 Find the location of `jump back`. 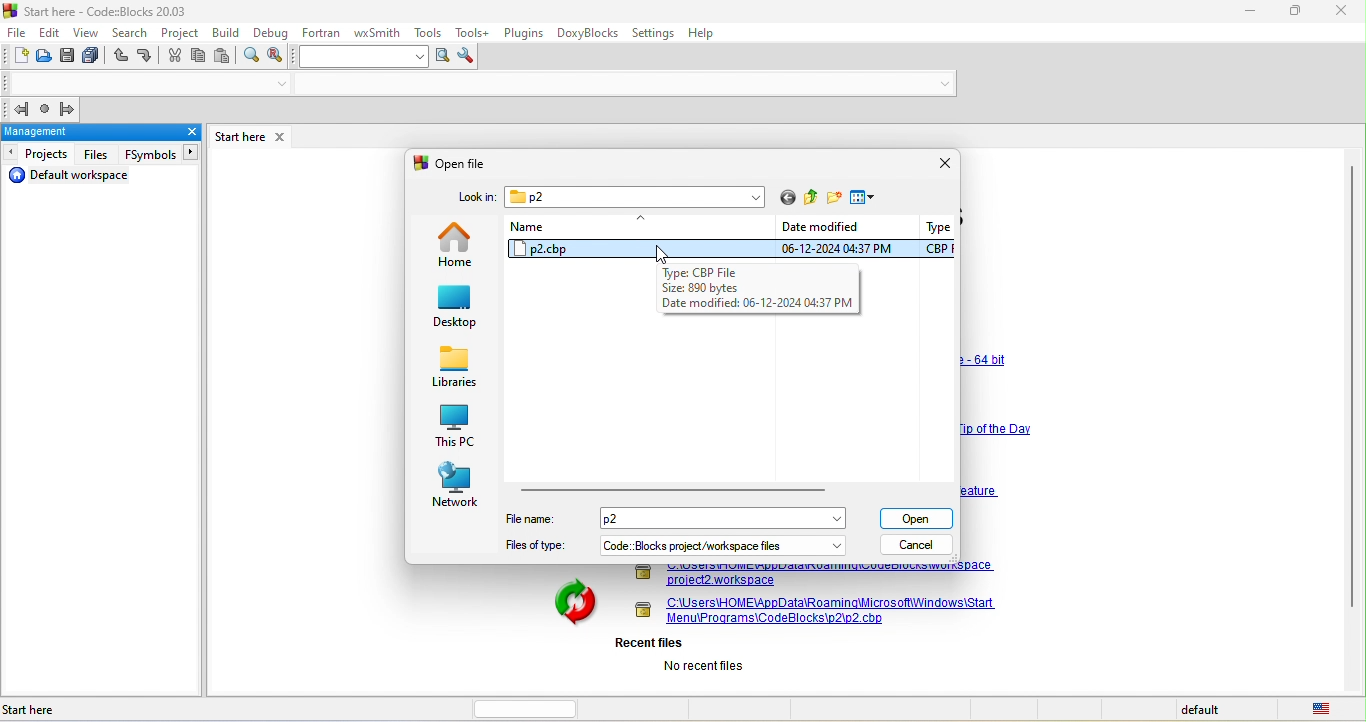

jump back is located at coordinates (21, 111).